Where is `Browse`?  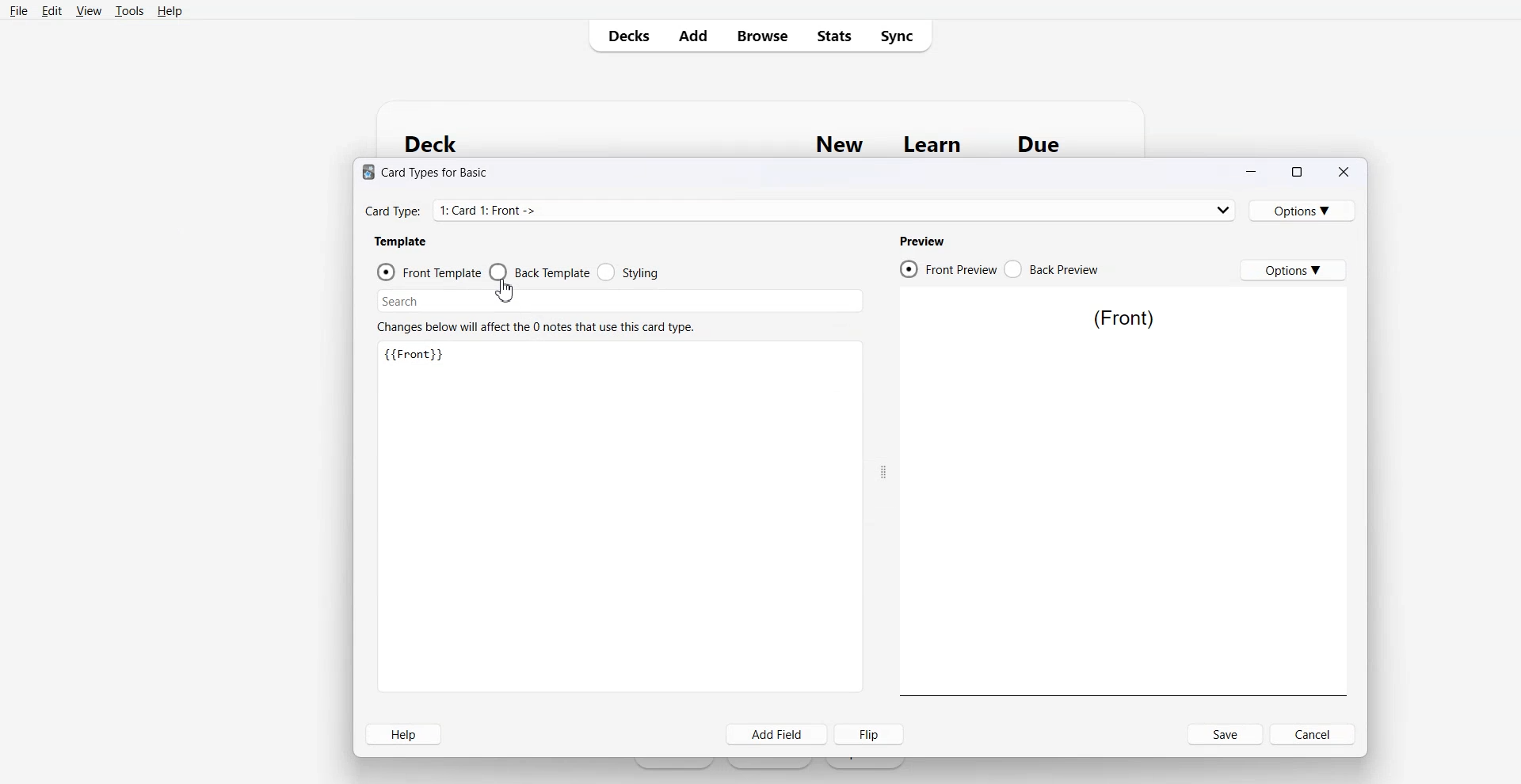
Browse is located at coordinates (760, 35).